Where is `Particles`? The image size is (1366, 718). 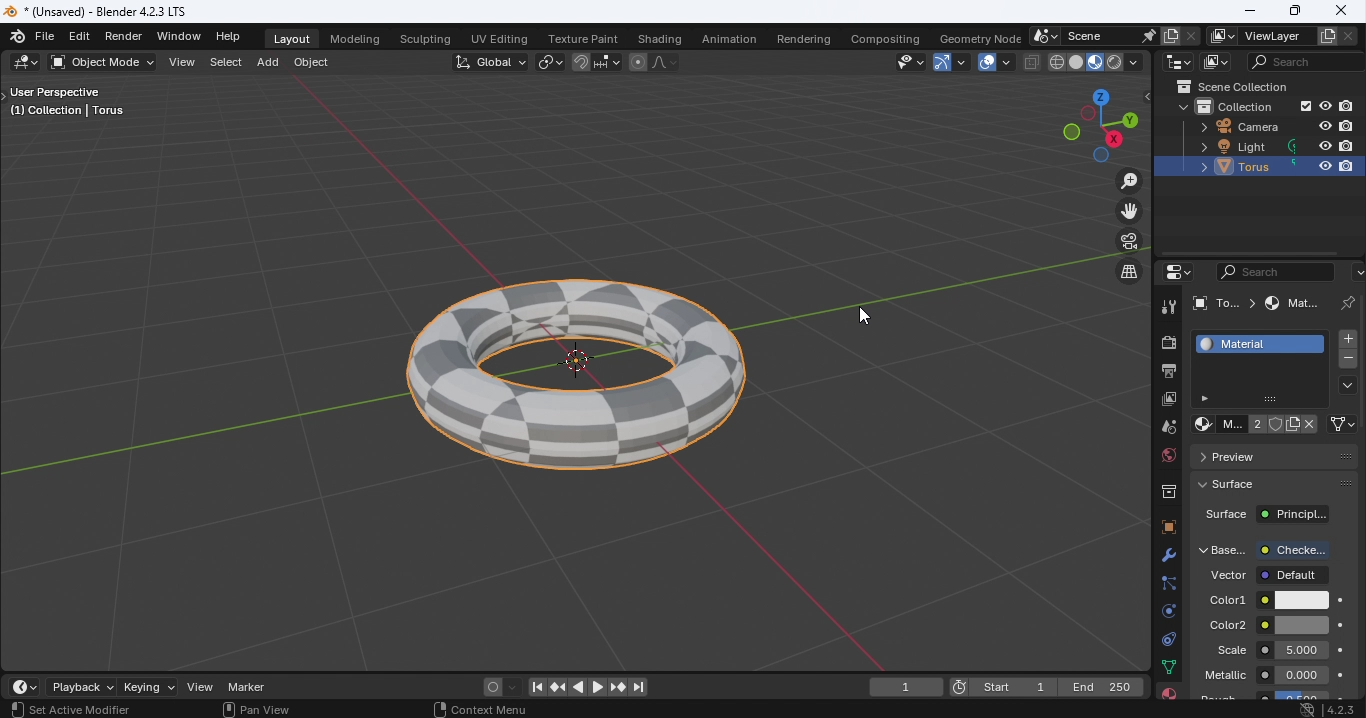
Particles is located at coordinates (1171, 584).